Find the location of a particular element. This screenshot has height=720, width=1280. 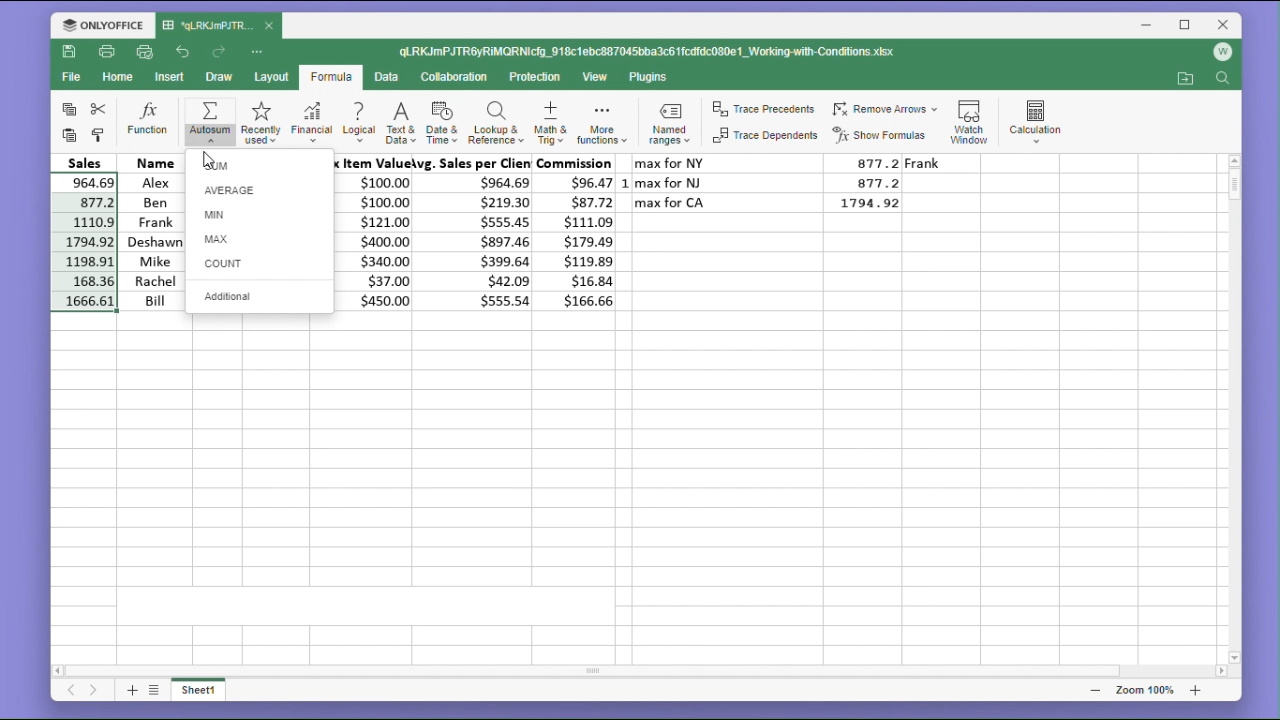

maths & trig is located at coordinates (549, 124).